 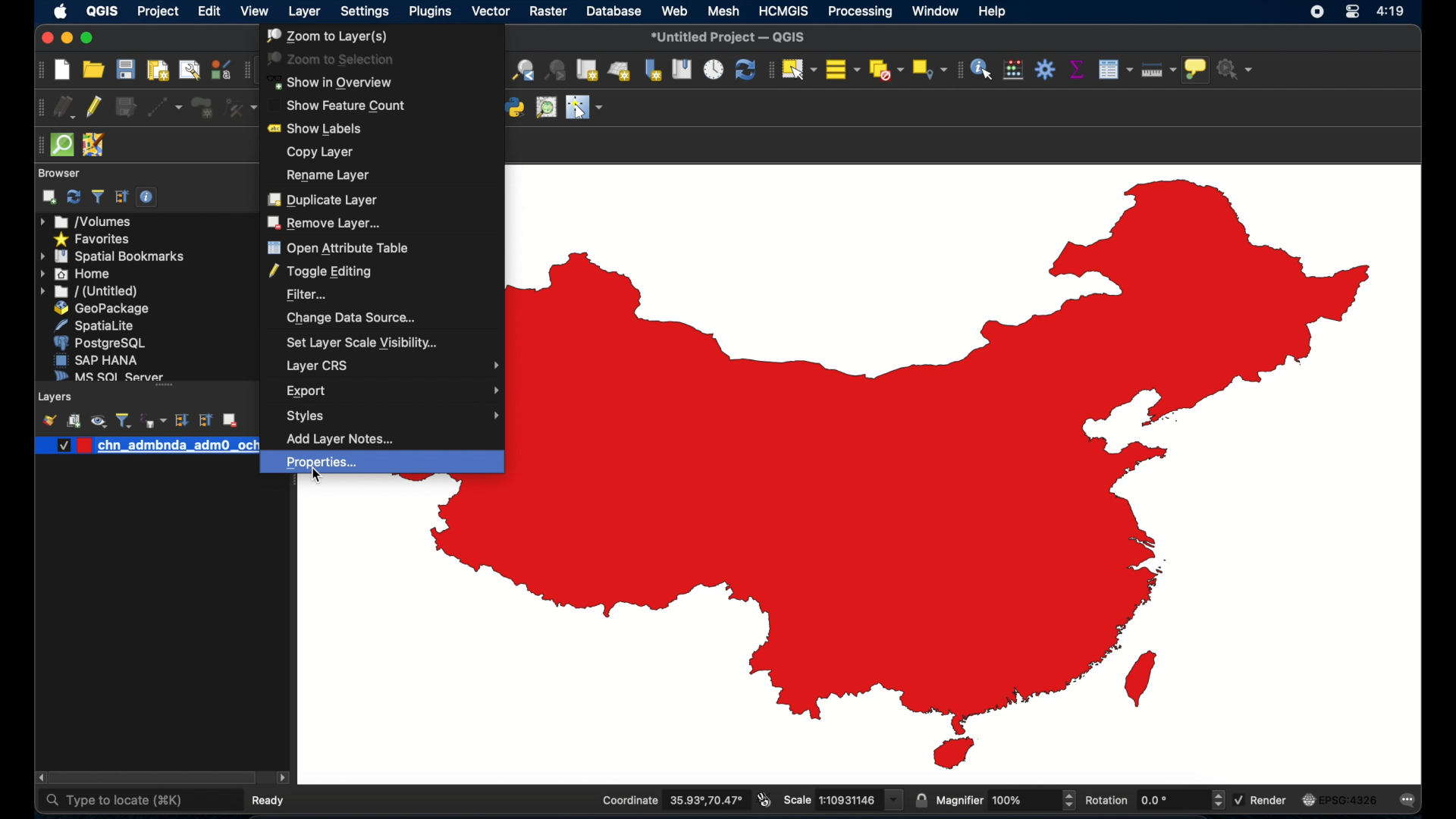 I want to click on remove layer/group, so click(x=230, y=420).